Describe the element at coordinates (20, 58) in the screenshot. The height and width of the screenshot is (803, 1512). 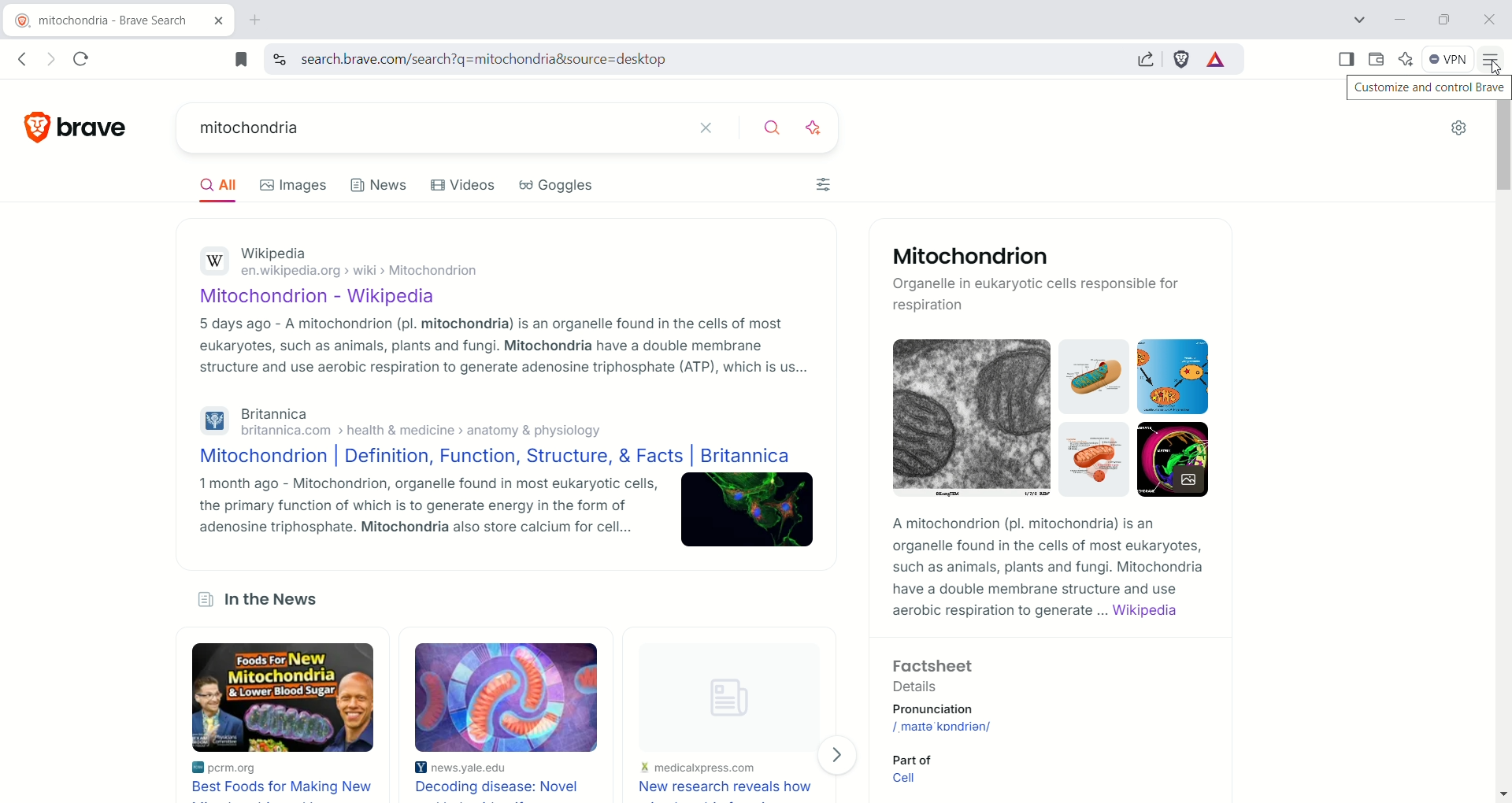
I see `go back` at that location.